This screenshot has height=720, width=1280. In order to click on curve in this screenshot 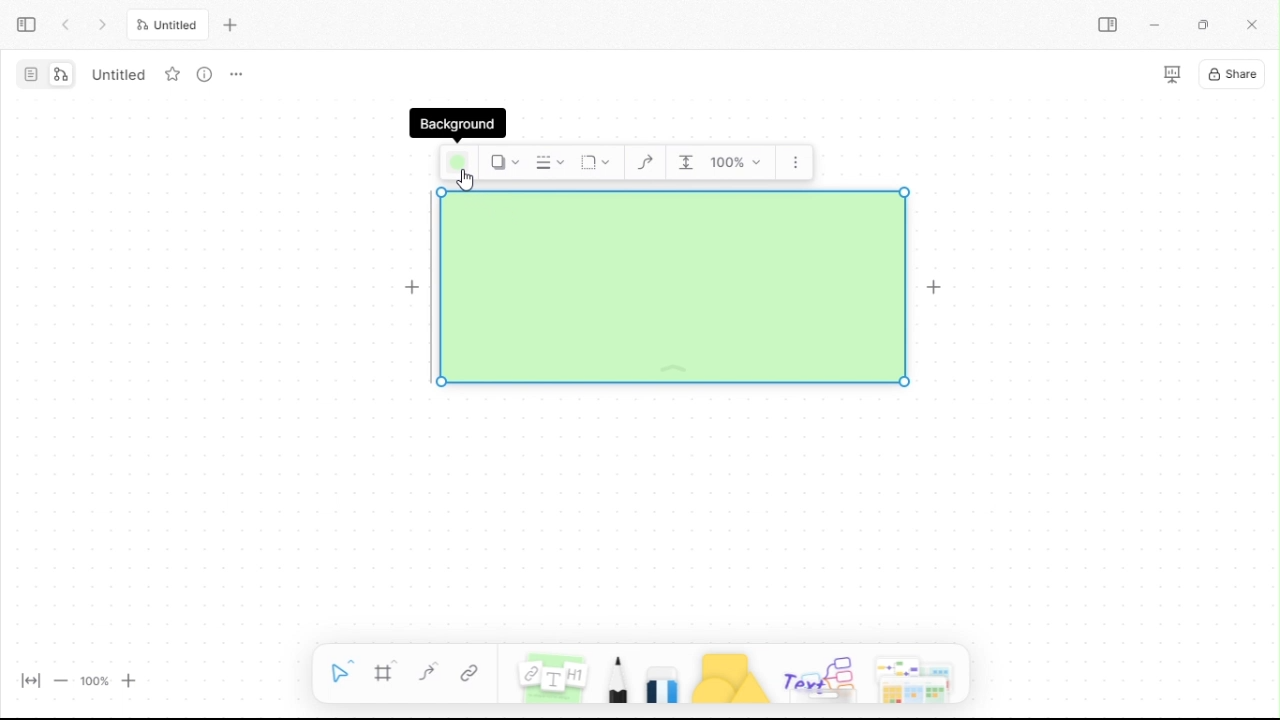, I will do `click(427, 675)`.